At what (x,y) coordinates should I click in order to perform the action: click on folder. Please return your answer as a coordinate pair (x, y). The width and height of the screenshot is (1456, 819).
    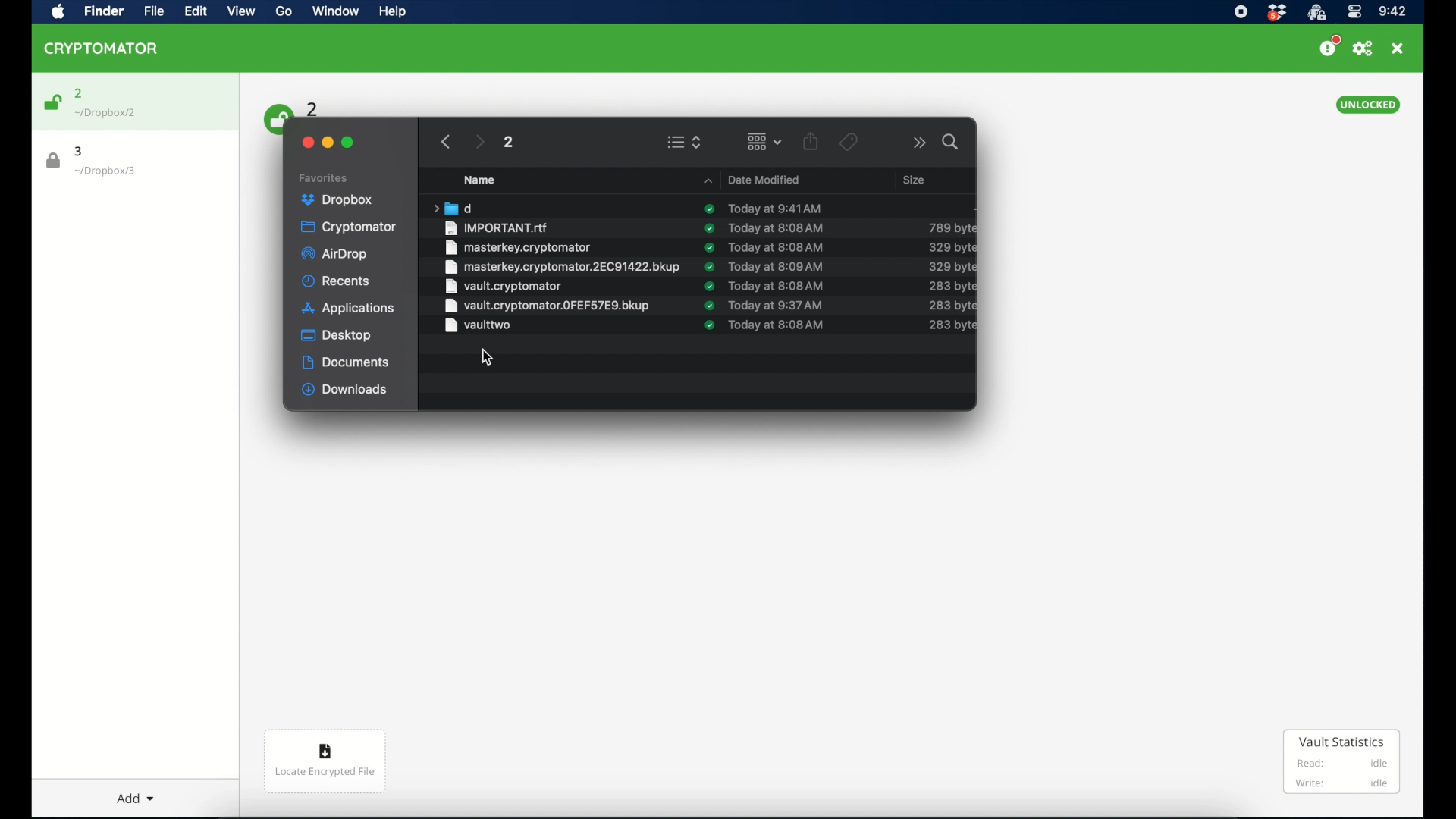
    Looking at the image, I should click on (452, 208).